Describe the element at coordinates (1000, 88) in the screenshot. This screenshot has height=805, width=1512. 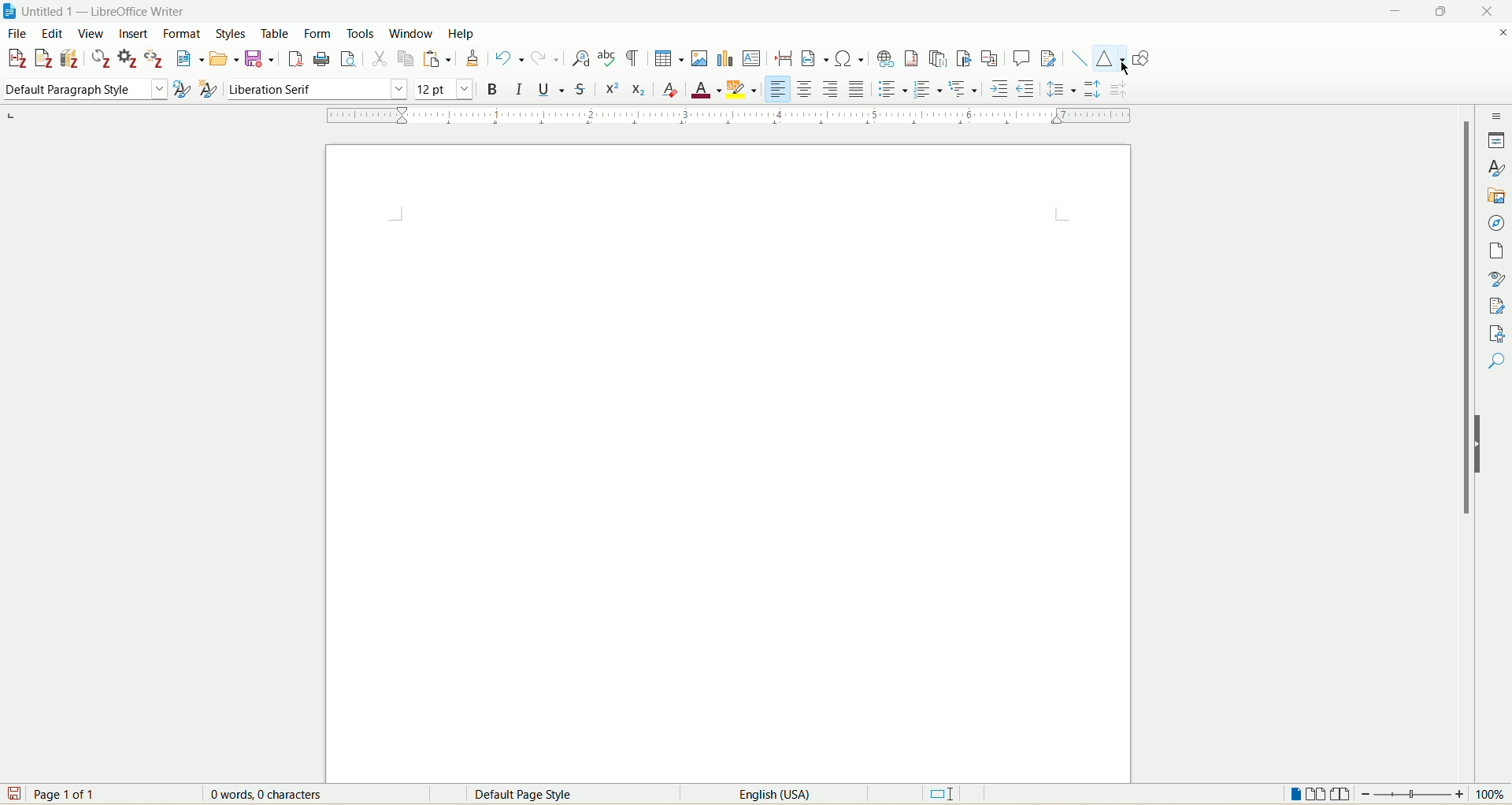
I see `increase indent` at that location.